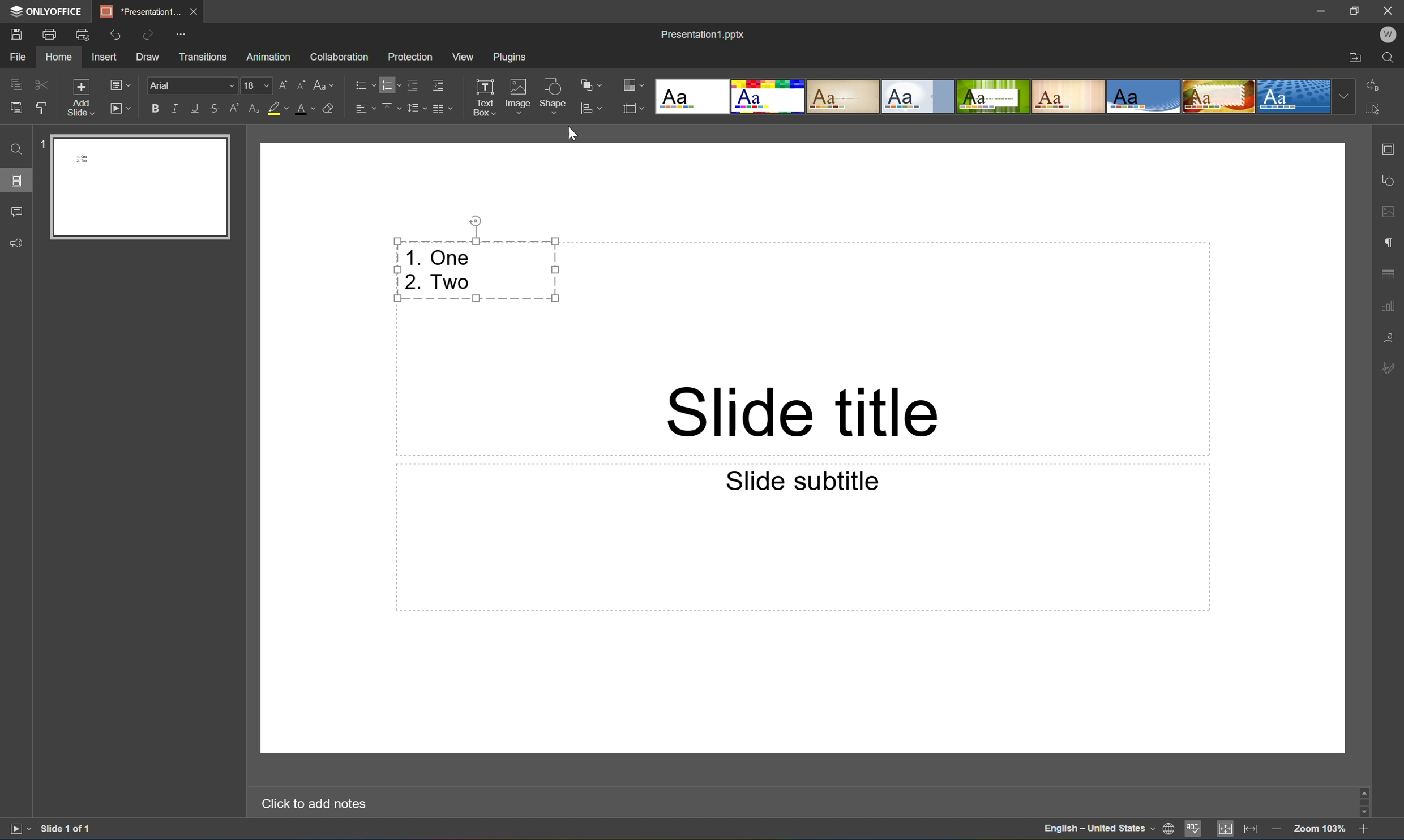 The image size is (1404, 840). I want to click on Numebring, so click(392, 84).